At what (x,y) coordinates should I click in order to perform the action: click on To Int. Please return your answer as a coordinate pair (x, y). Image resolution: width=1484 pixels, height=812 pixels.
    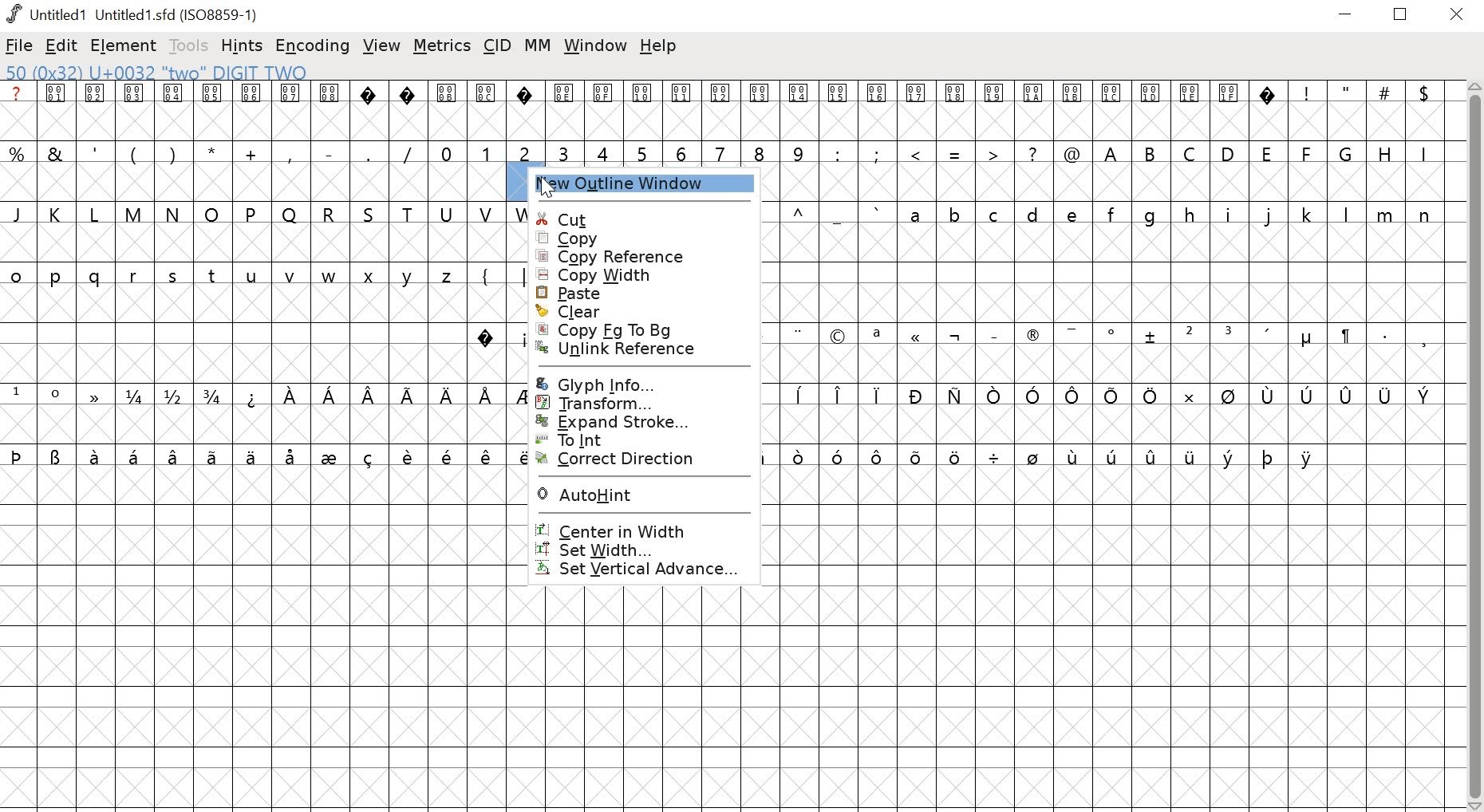
    Looking at the image, I should click on (643, 440).